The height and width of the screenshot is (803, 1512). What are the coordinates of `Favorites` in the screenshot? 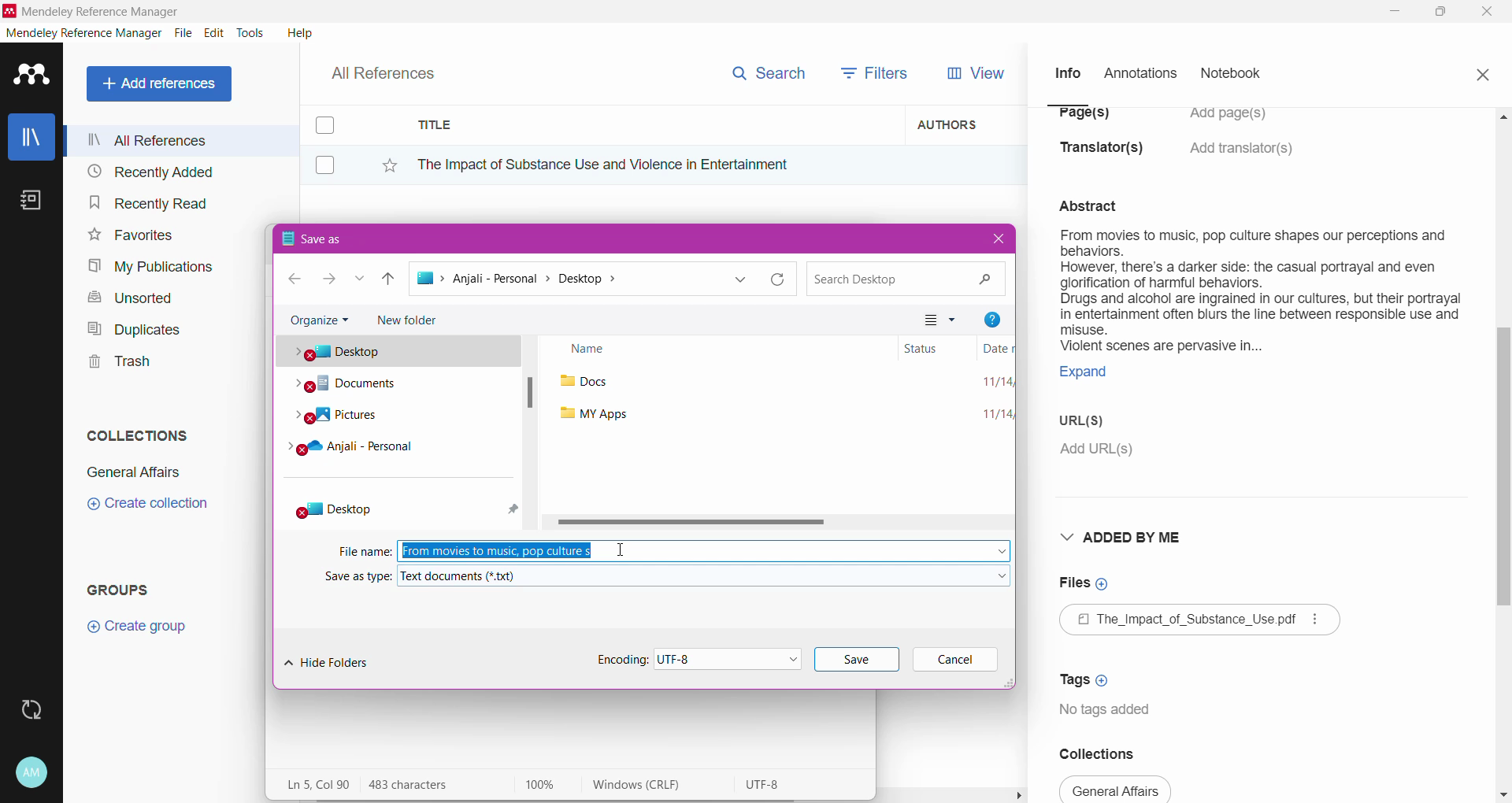 It's located at (129, 235).